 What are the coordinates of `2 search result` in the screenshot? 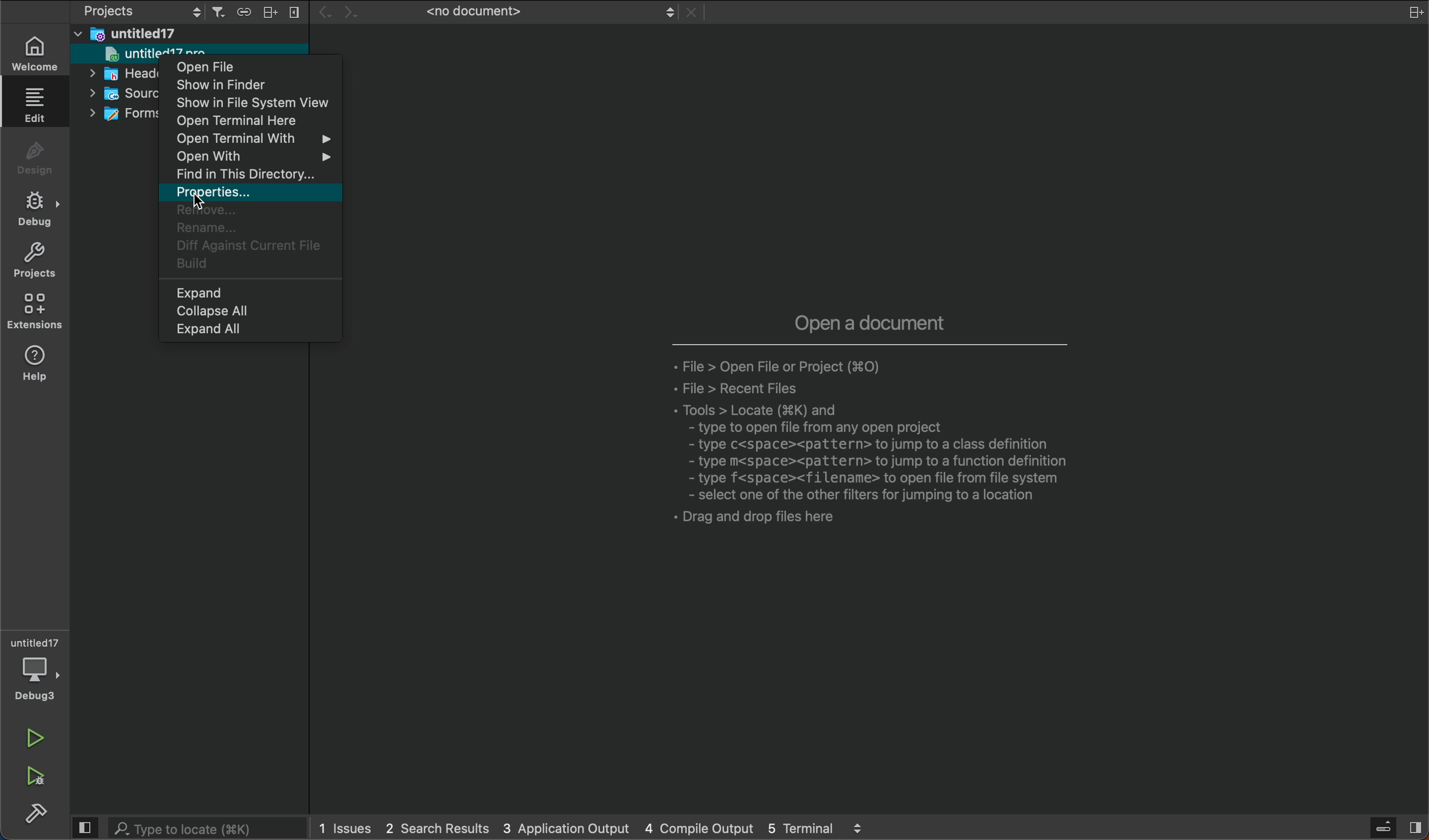 It's located at (439, 828).